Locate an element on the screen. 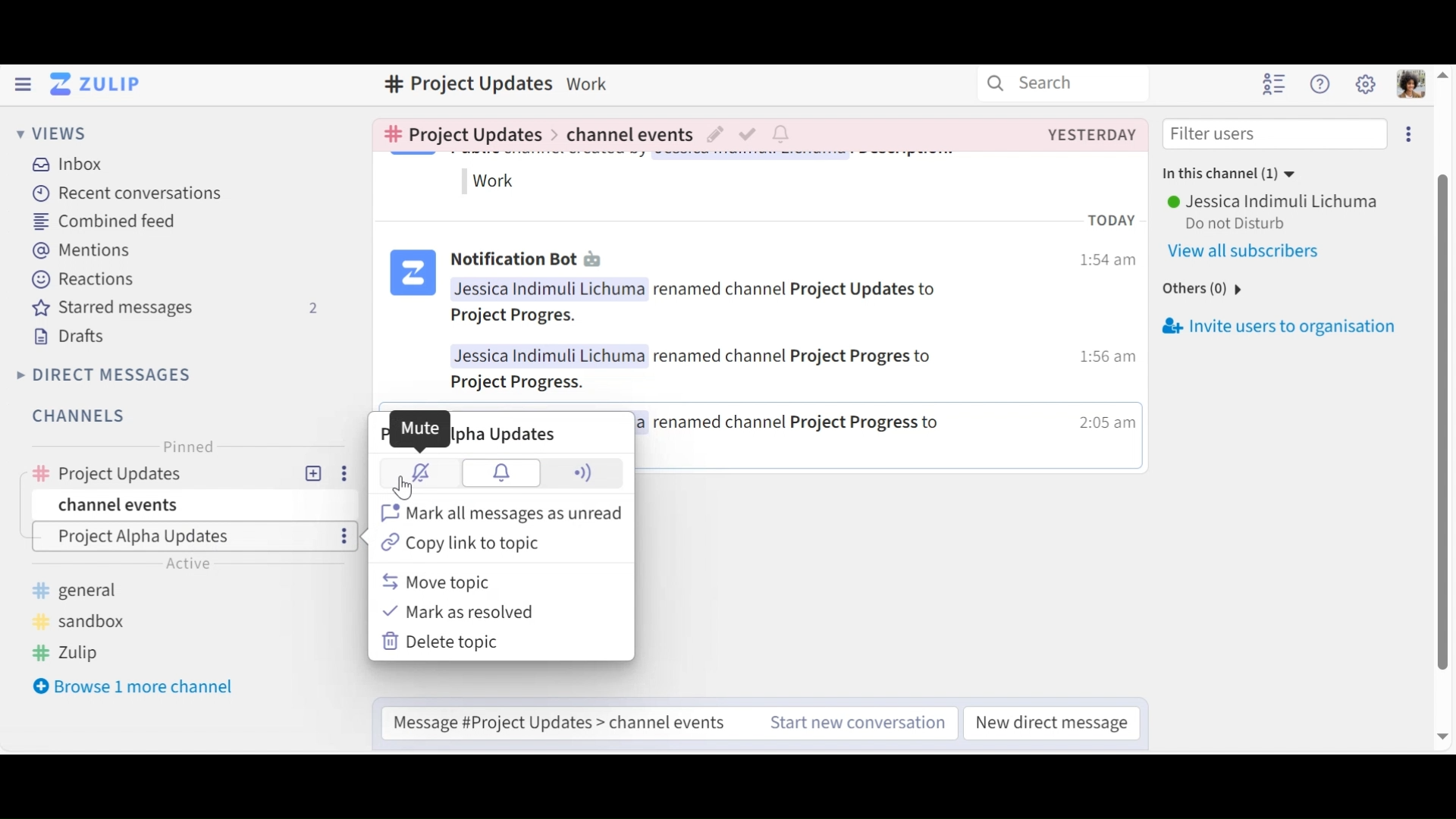 This screenshot has width=1456, height=819. Created is located at coordinates (1091, 135).